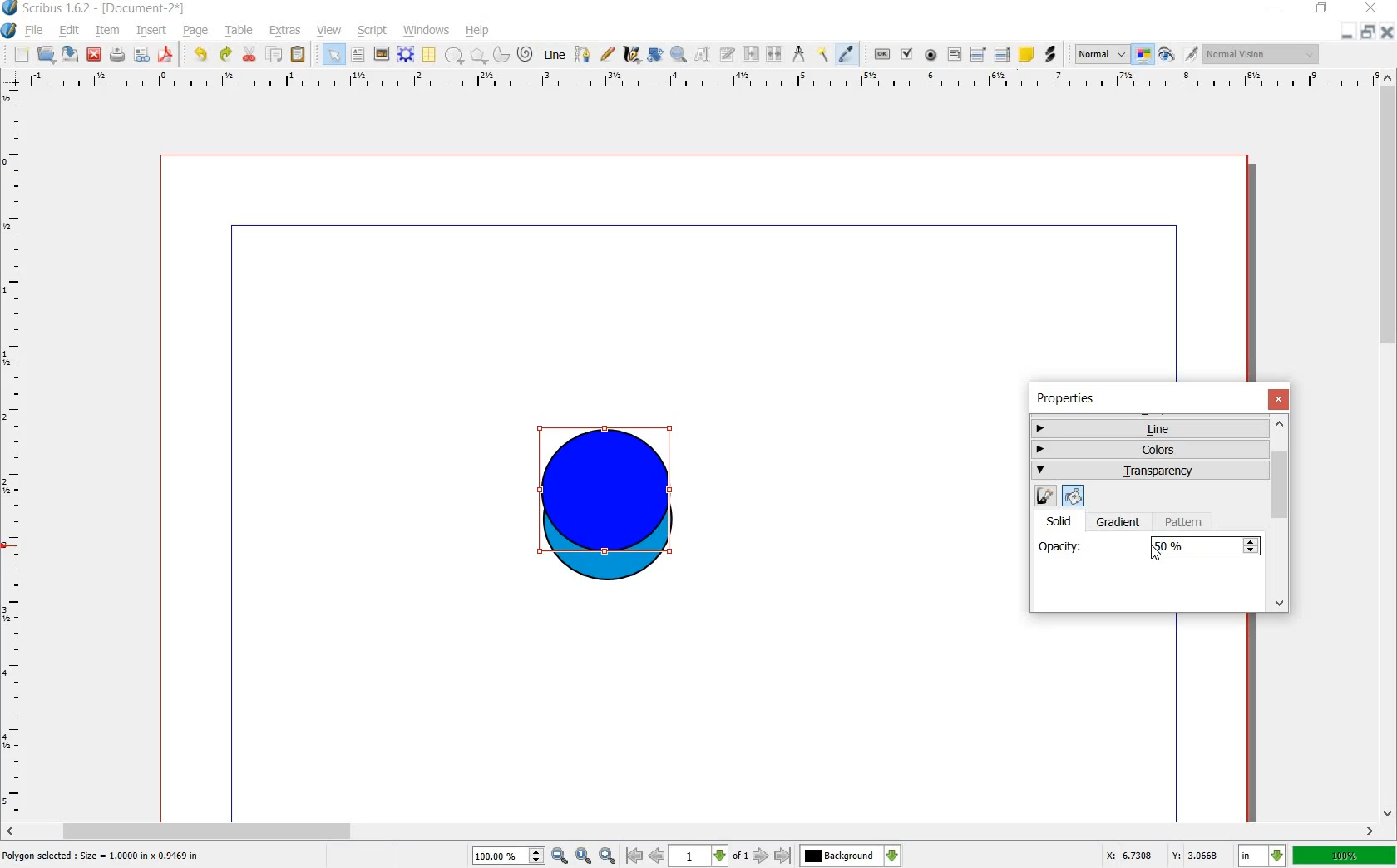  What do you see at coordinates (906, 55) in the screenshot?
I see `pdf check box` at bounding box center [906, 55].